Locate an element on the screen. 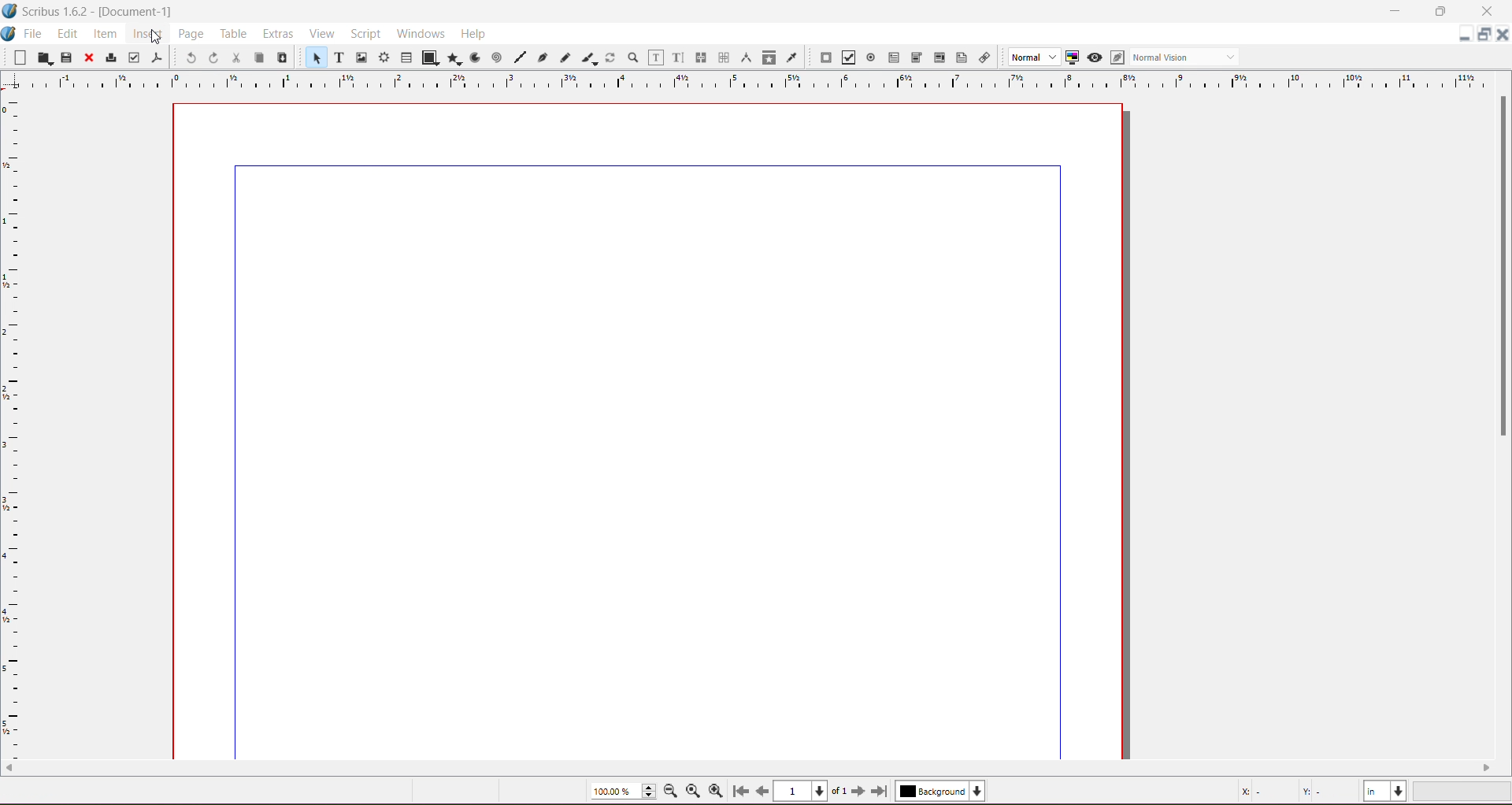  Go to the first page is located at coordinates (742, 792).